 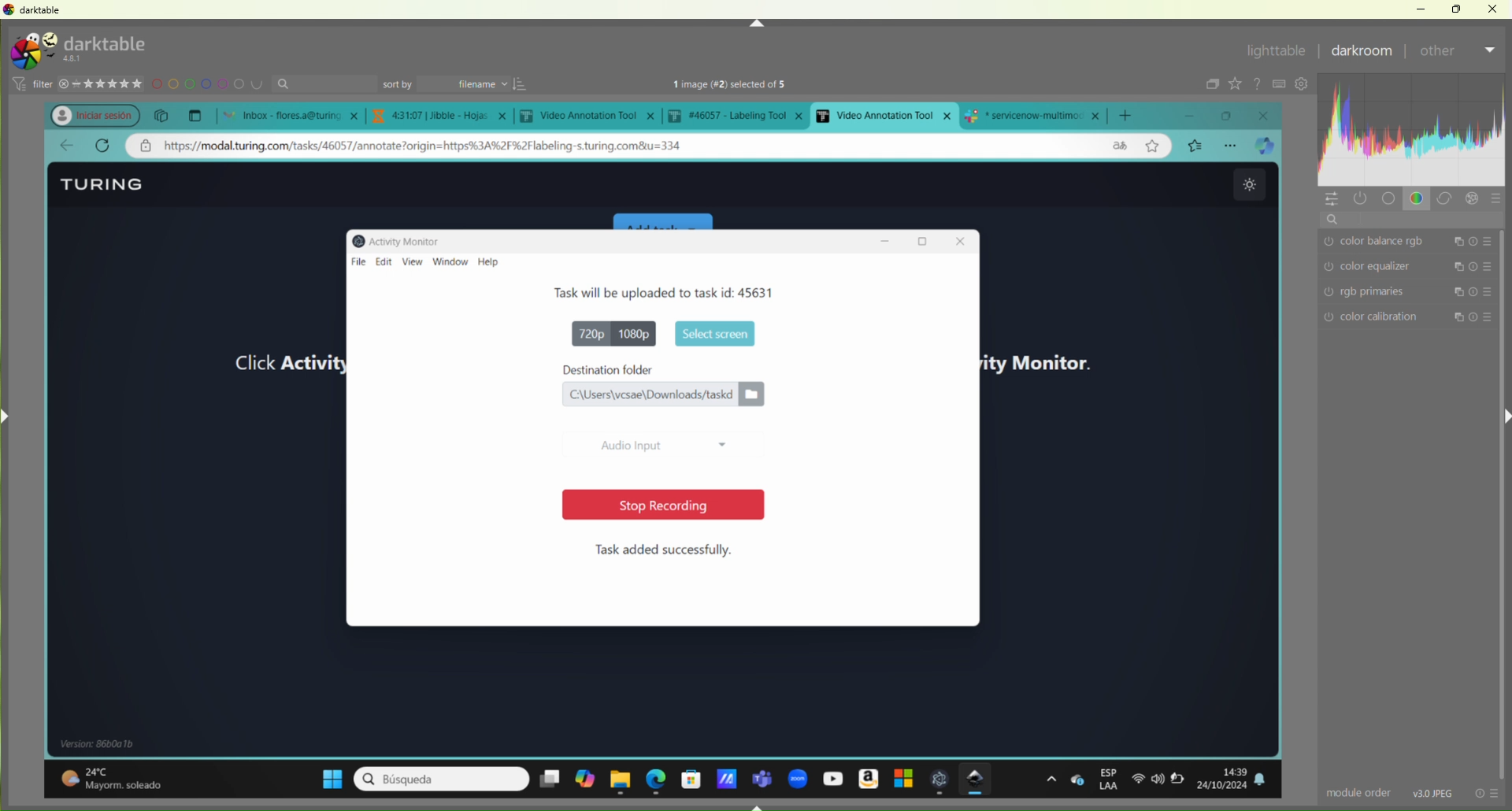 I want to click on edit, so click(x=384, y=260).